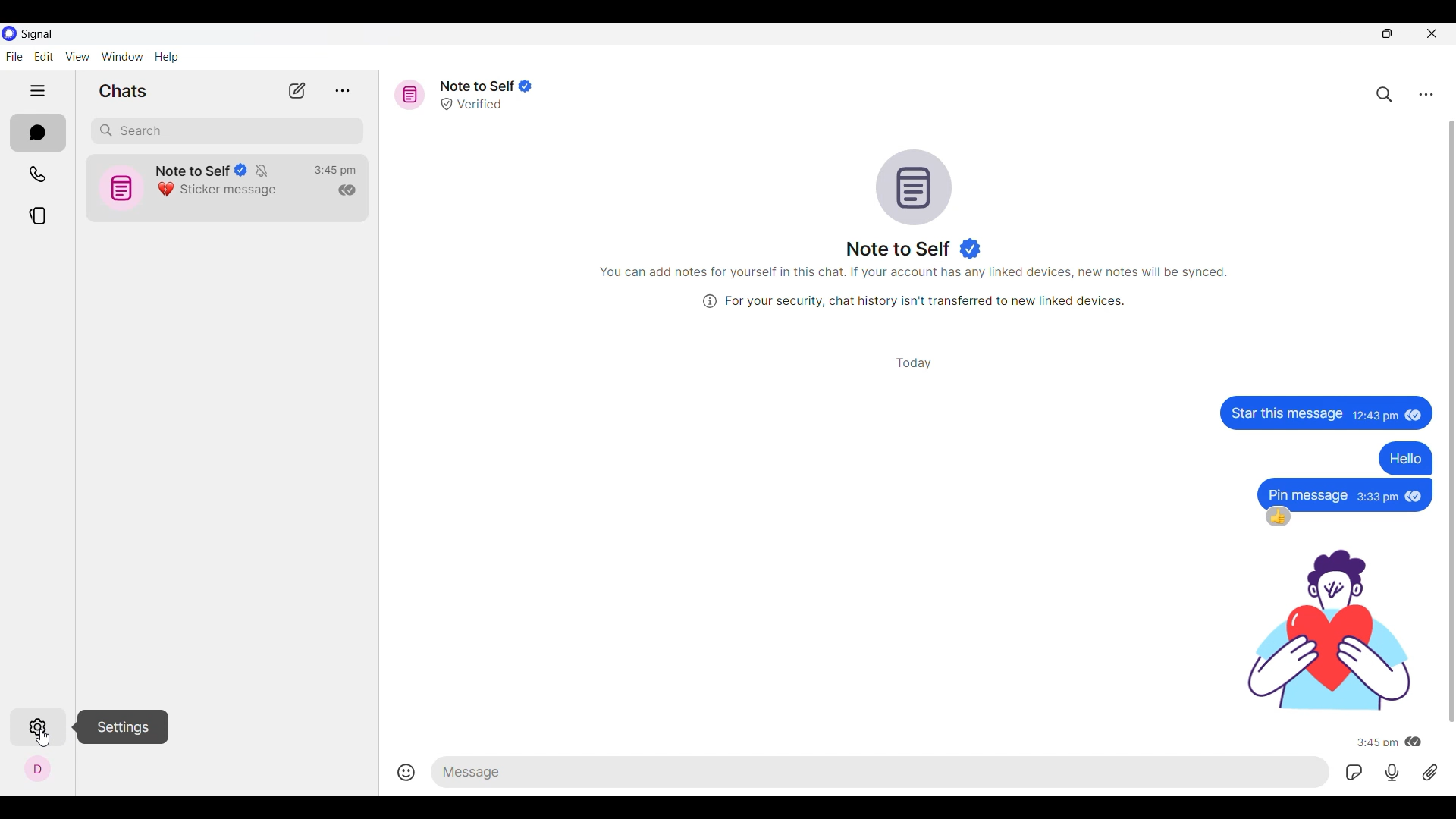 The image size is (1456, 819). What do you see at coordinates (1403, 459) in the screenshot?
I see `text message` at bounding box center [1403, 459].